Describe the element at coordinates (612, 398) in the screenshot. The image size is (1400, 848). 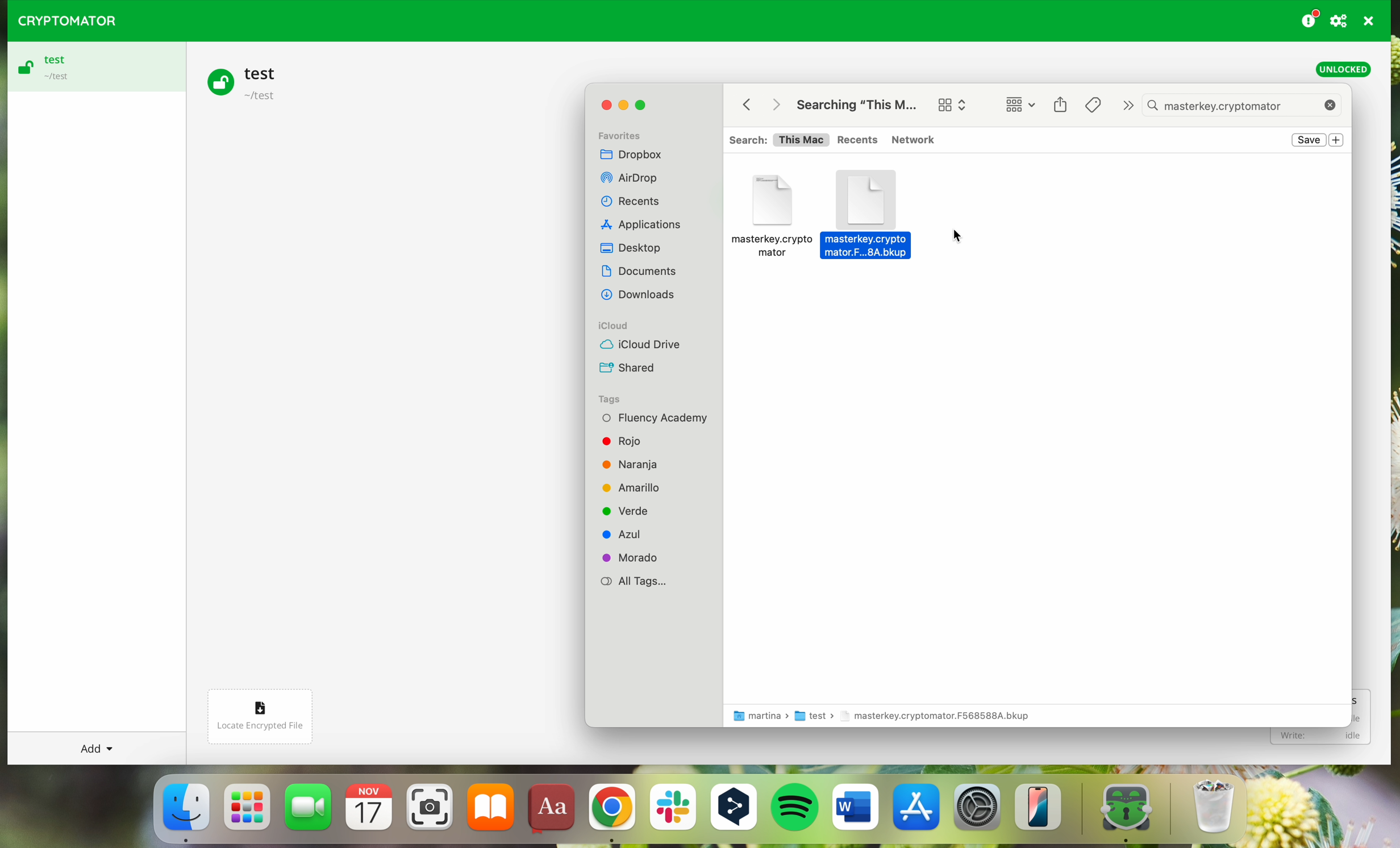
I see `Tags` at that location.